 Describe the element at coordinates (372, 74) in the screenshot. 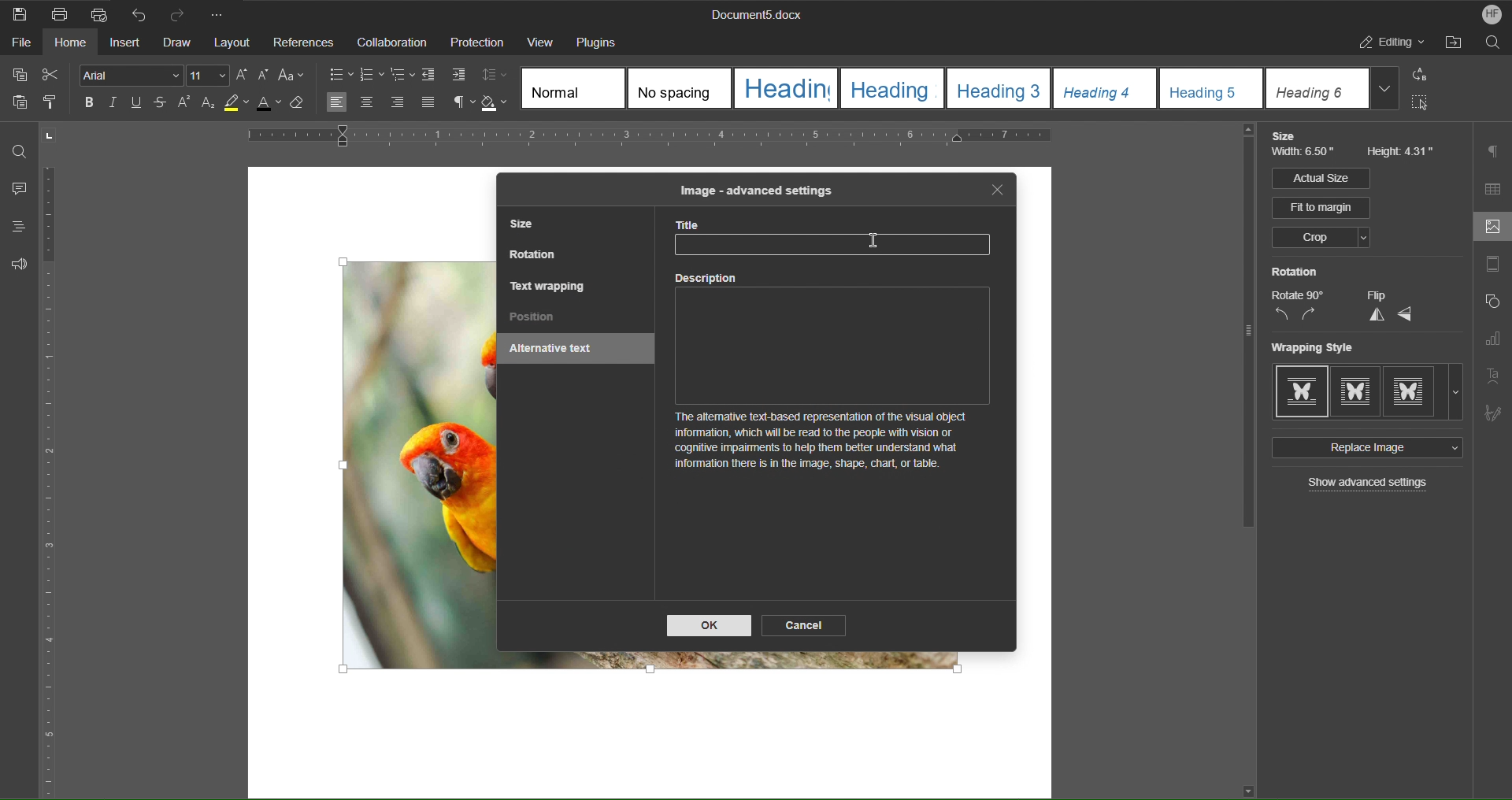

I see `Lists` at that location.